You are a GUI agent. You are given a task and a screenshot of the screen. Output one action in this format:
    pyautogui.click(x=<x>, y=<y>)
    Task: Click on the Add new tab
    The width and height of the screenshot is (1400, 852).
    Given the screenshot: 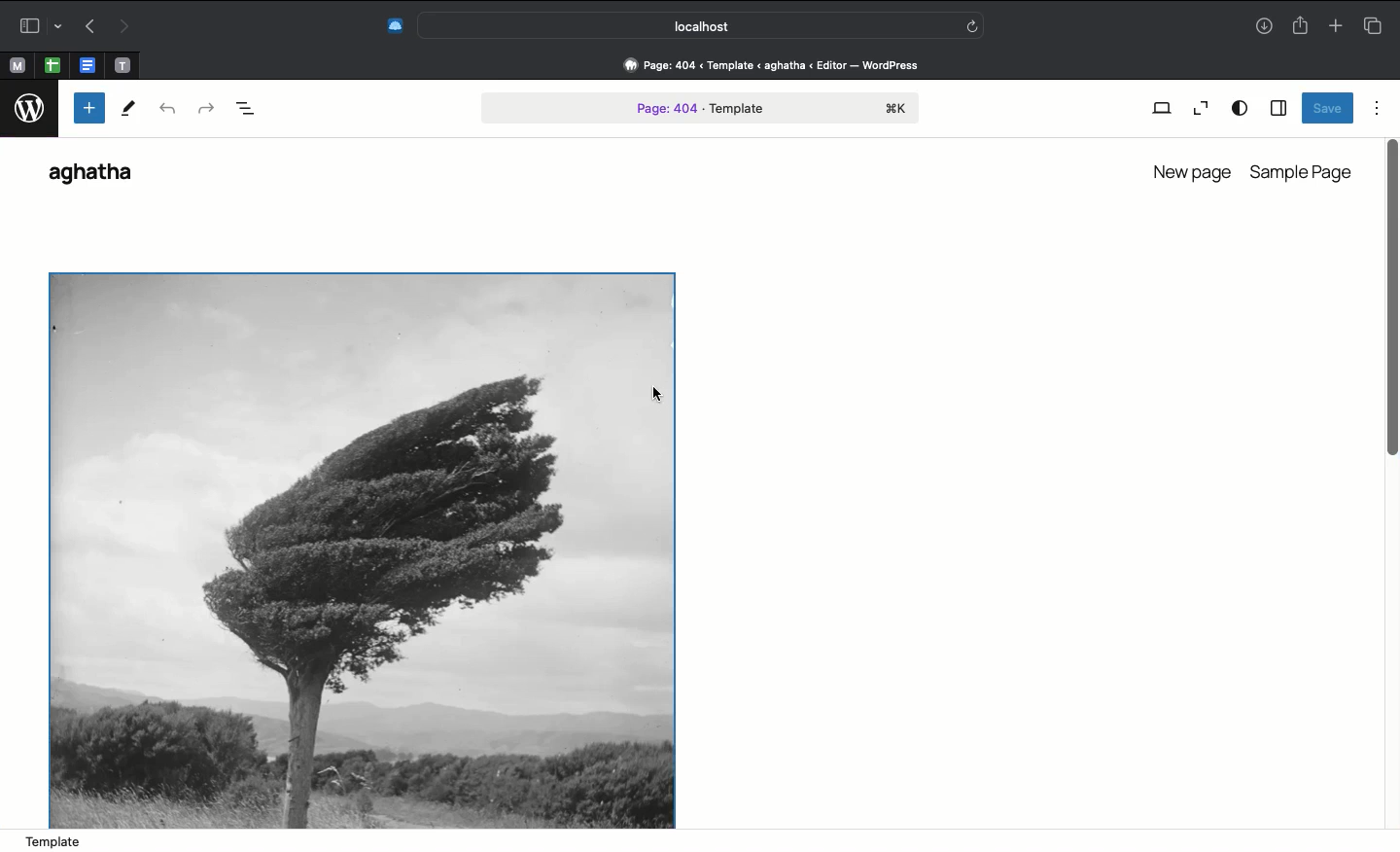 What is the action you would take?
    pyautogui.click(x=1335, y=22)
    